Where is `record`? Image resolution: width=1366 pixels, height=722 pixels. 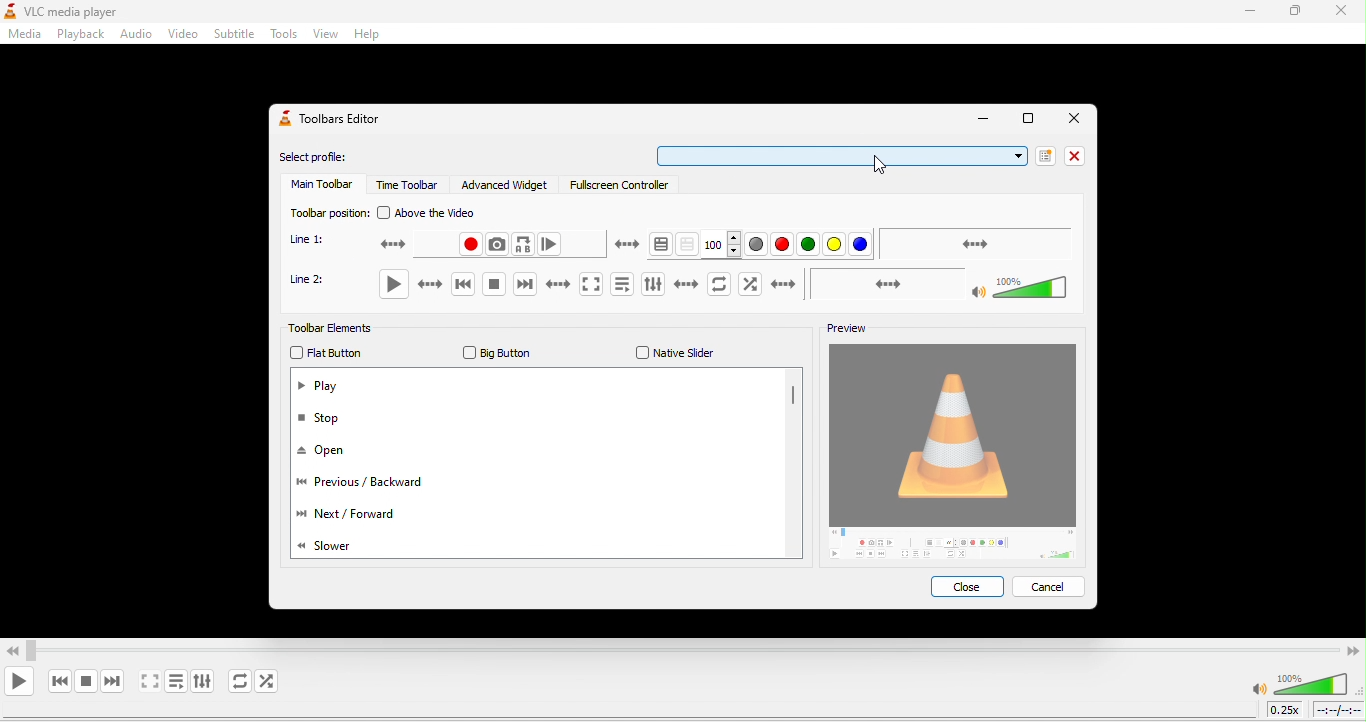
record is located at coordinates (433, 246).